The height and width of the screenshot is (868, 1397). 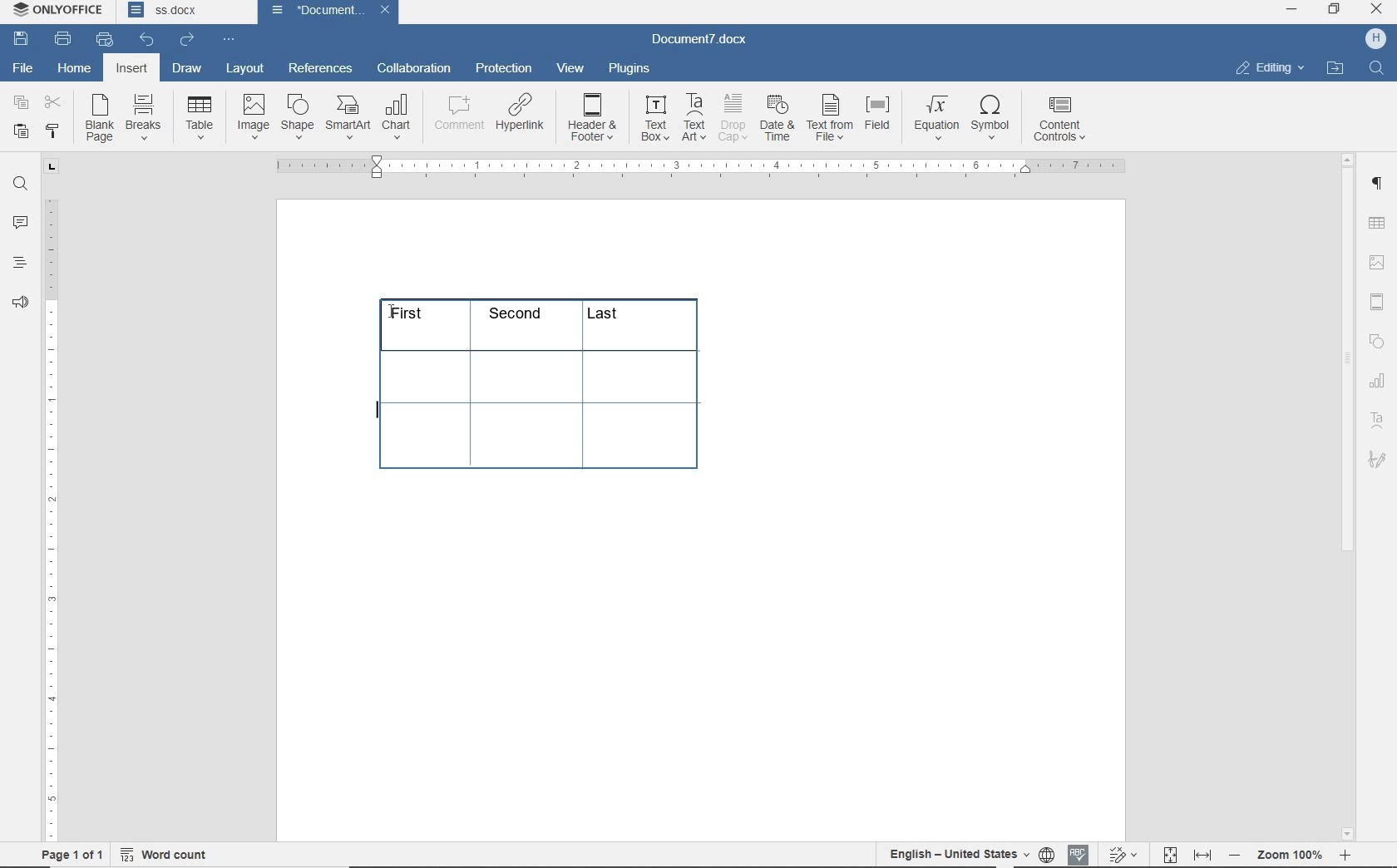 What do you see at coordinates (49, 167) in the screenshot?
I see `tab group` at bounding box center [49, 167].